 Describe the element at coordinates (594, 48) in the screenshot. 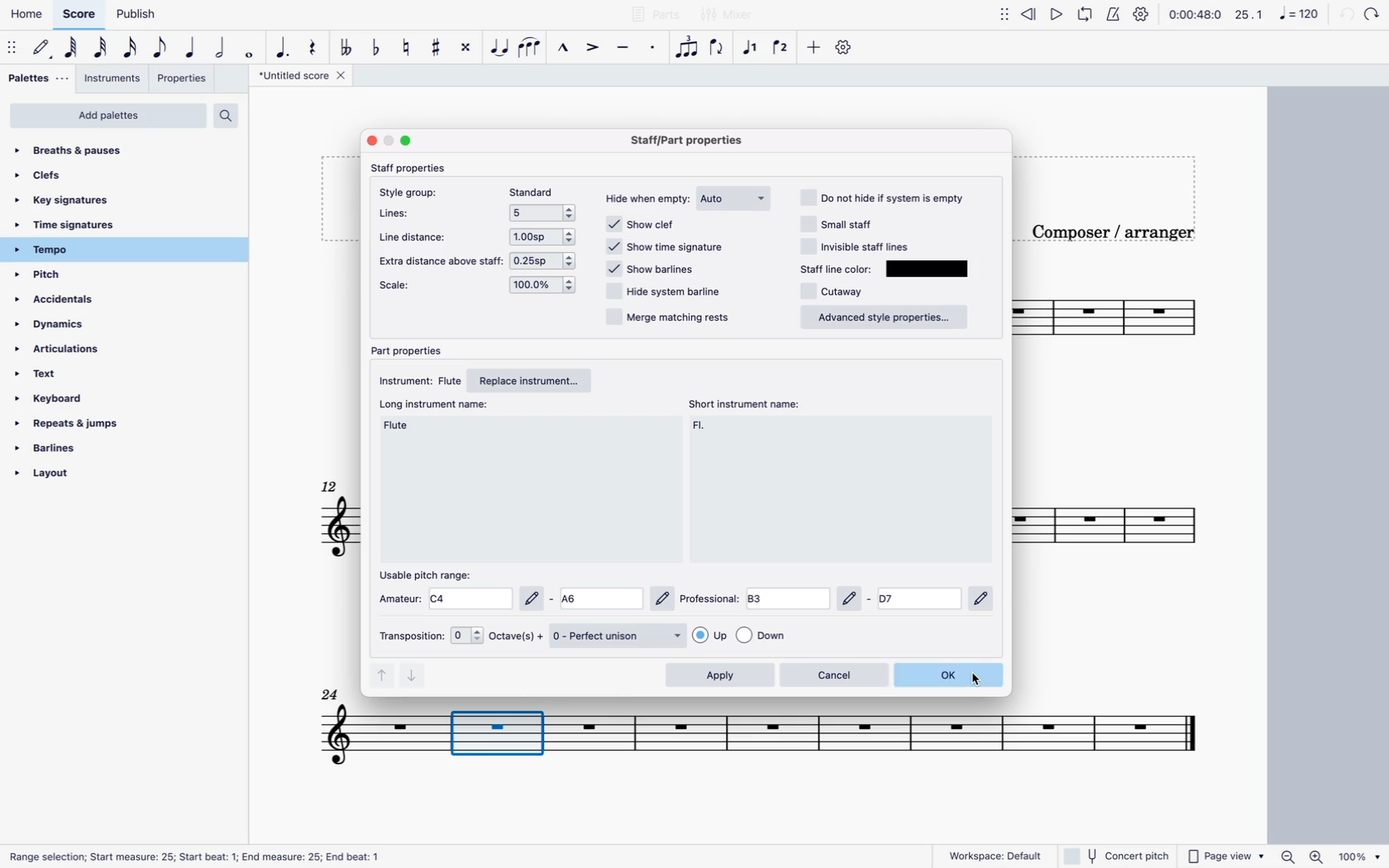

I see `accent` at that location.